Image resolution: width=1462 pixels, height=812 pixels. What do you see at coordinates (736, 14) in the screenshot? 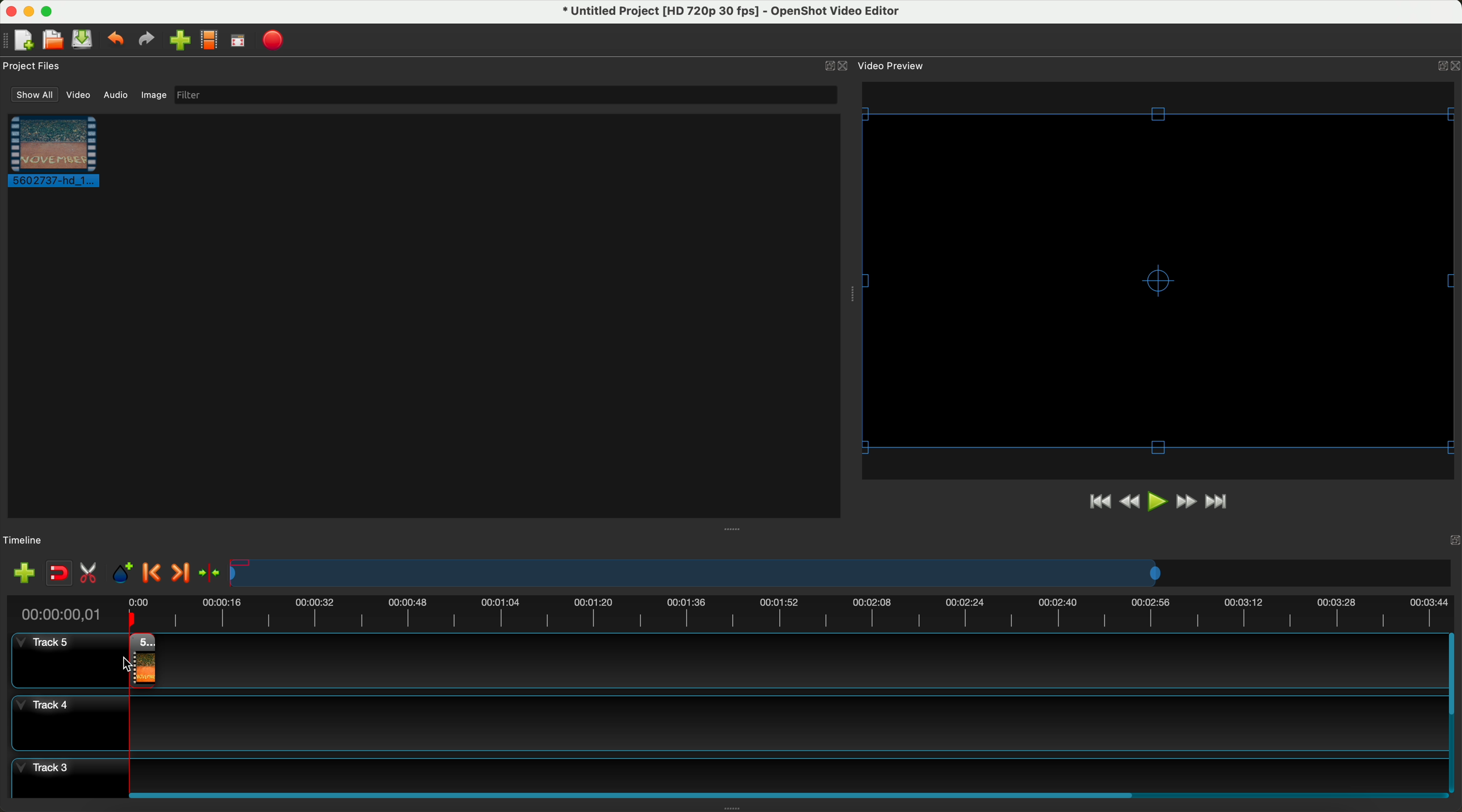
I see `file name` at bounding box center [736, 14].